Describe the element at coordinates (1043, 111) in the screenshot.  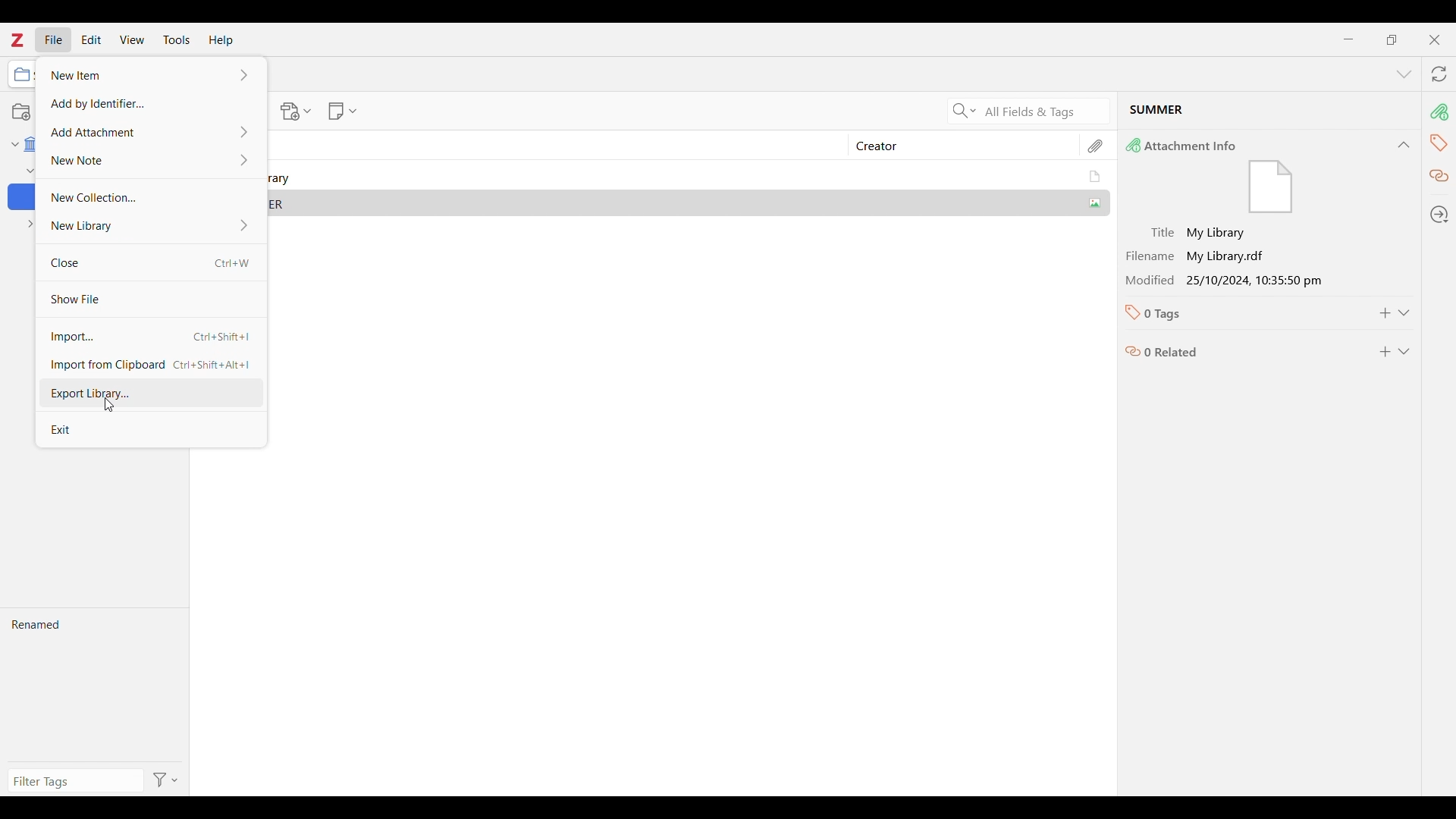
I see `Current search criteria` at that location.